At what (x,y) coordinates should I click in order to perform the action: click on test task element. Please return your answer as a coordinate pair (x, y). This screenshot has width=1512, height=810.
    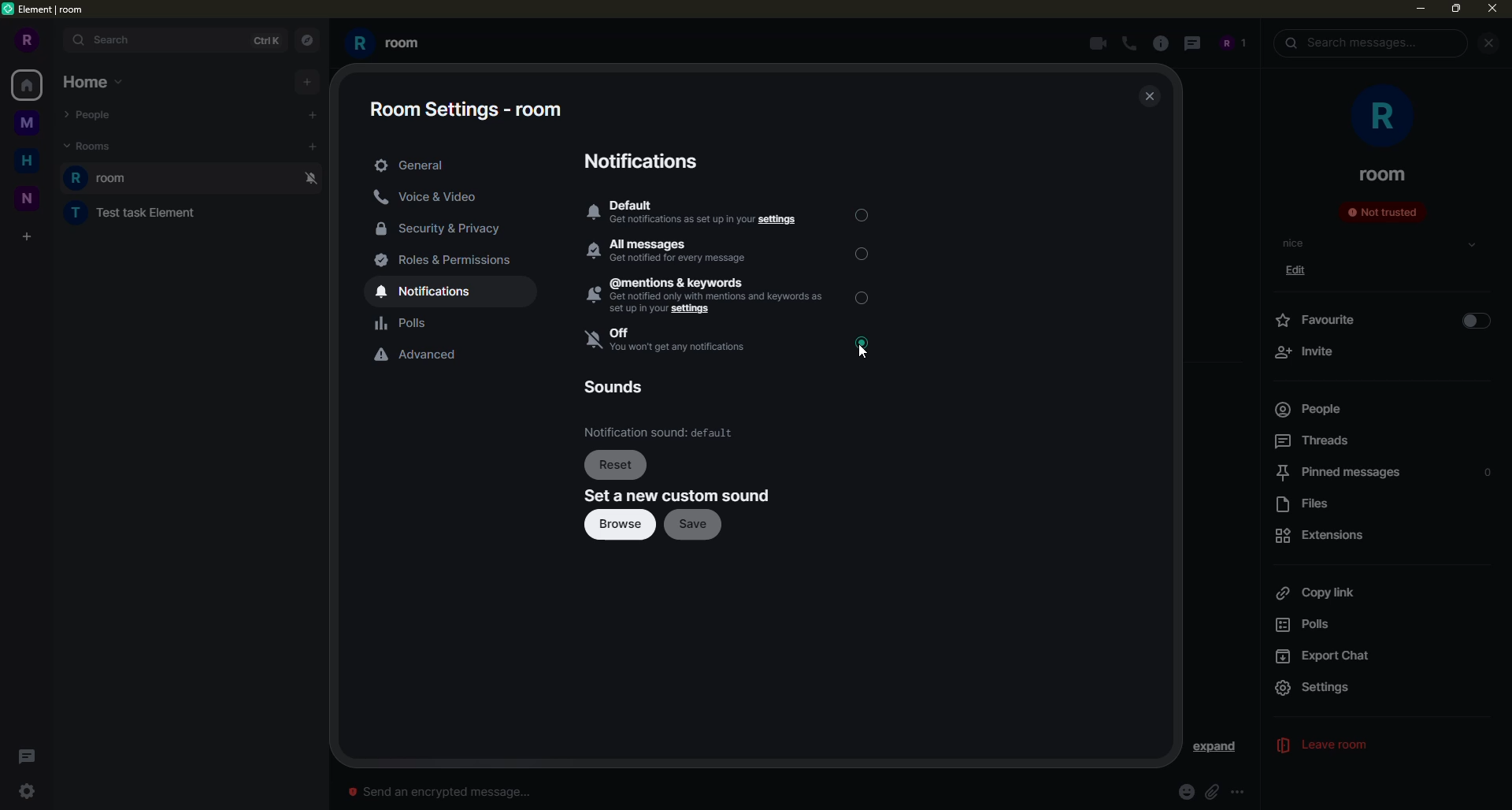
    Looking at the image, I should click on (127, 215).